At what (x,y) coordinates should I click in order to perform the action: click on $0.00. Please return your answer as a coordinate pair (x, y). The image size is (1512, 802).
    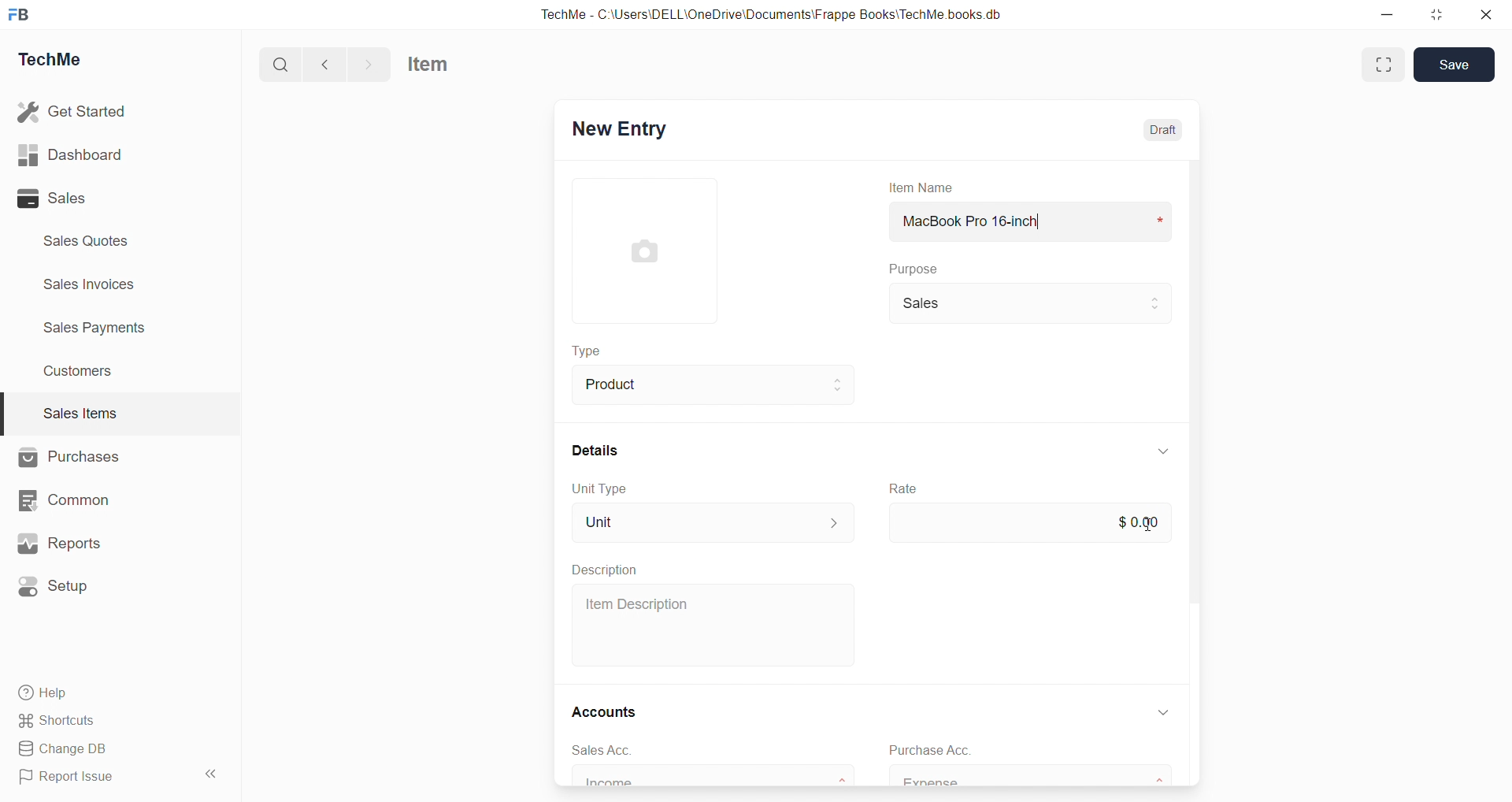
    Looking at the image, I should click on (1028, 524).